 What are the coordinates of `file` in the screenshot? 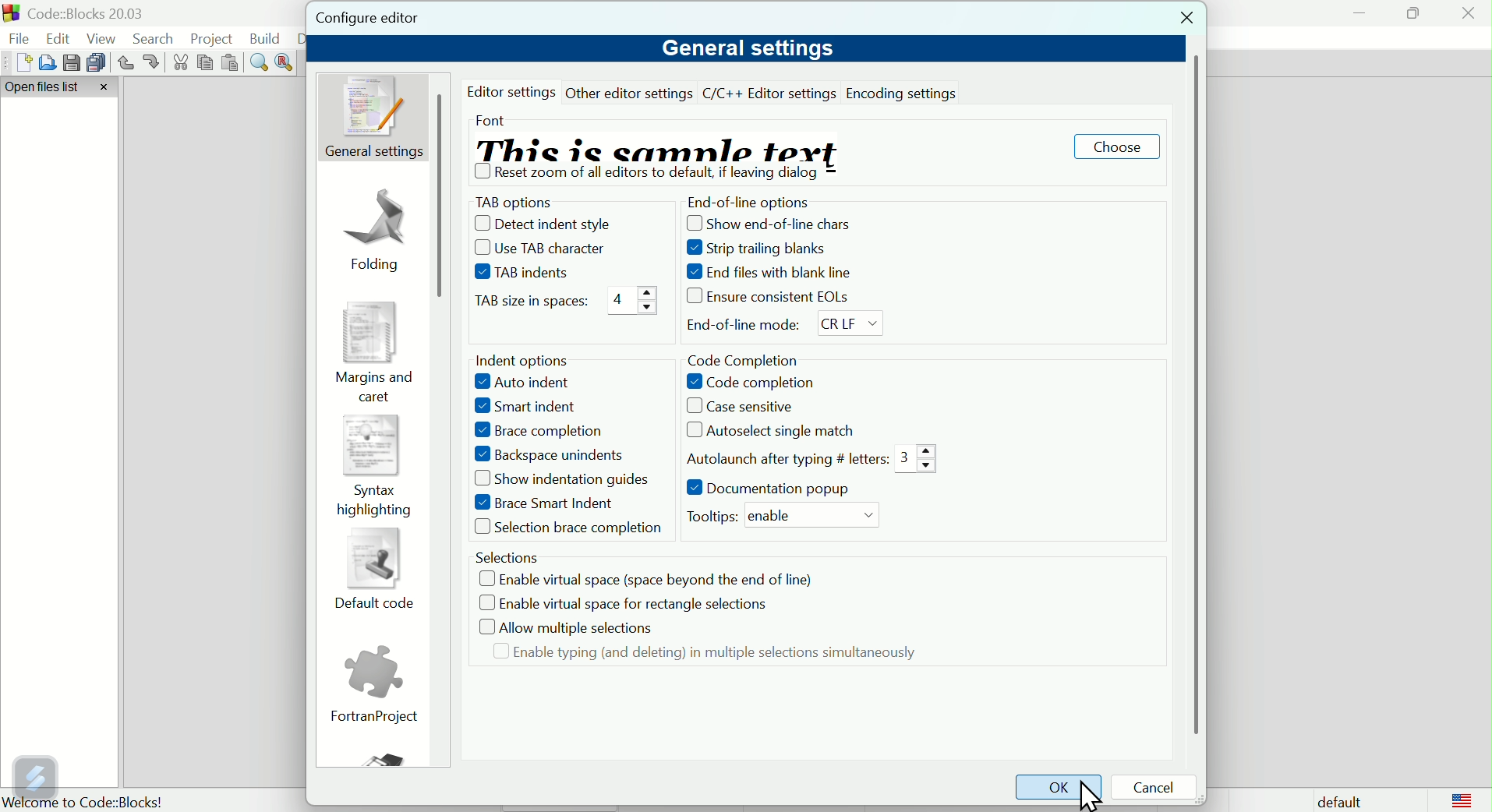 It's located at (20, 40).